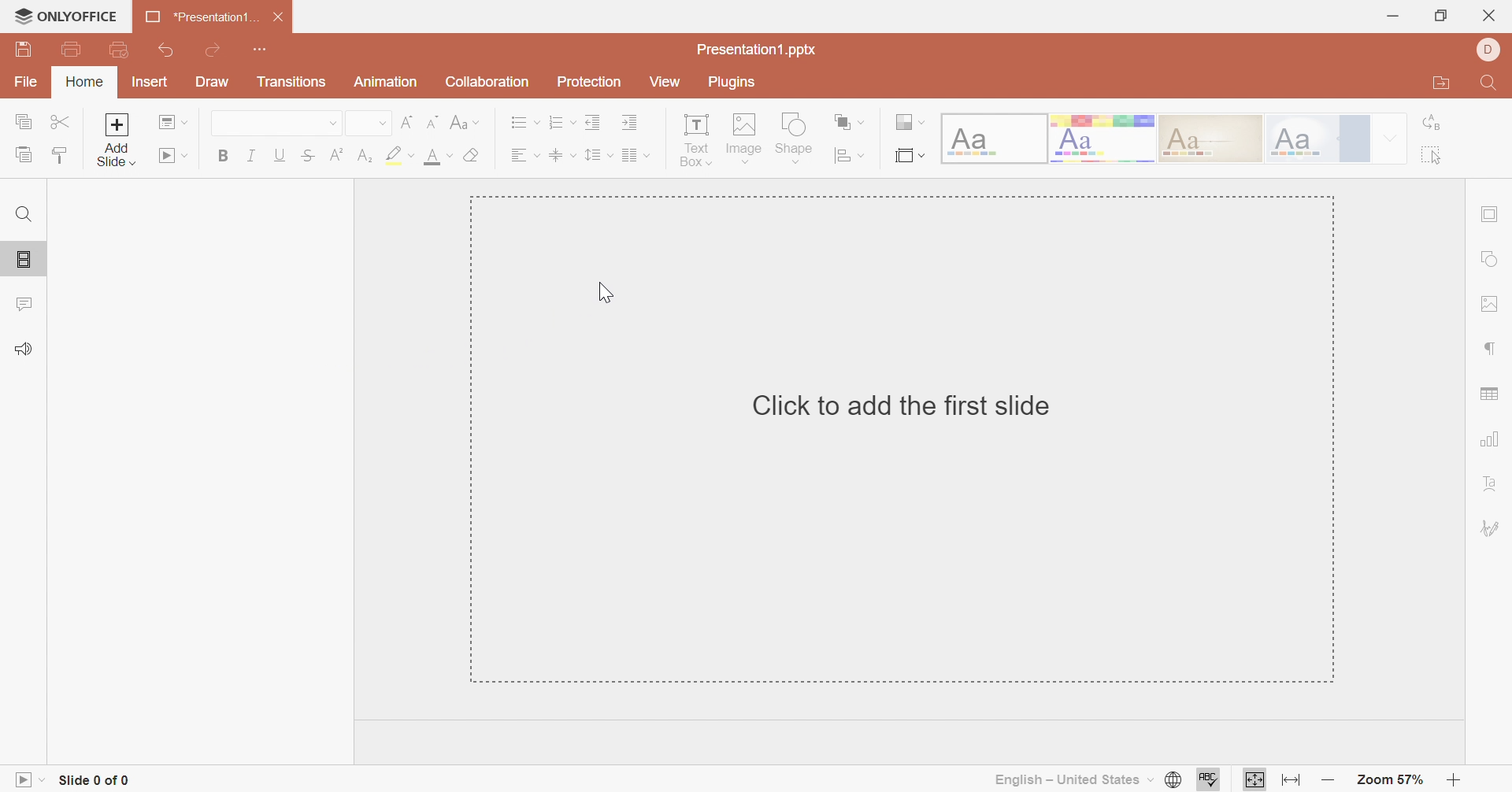  What do you see at coordinates (1176, 779) in the screenshot?
I see `Set document language` at bounding box center [1176, 779].